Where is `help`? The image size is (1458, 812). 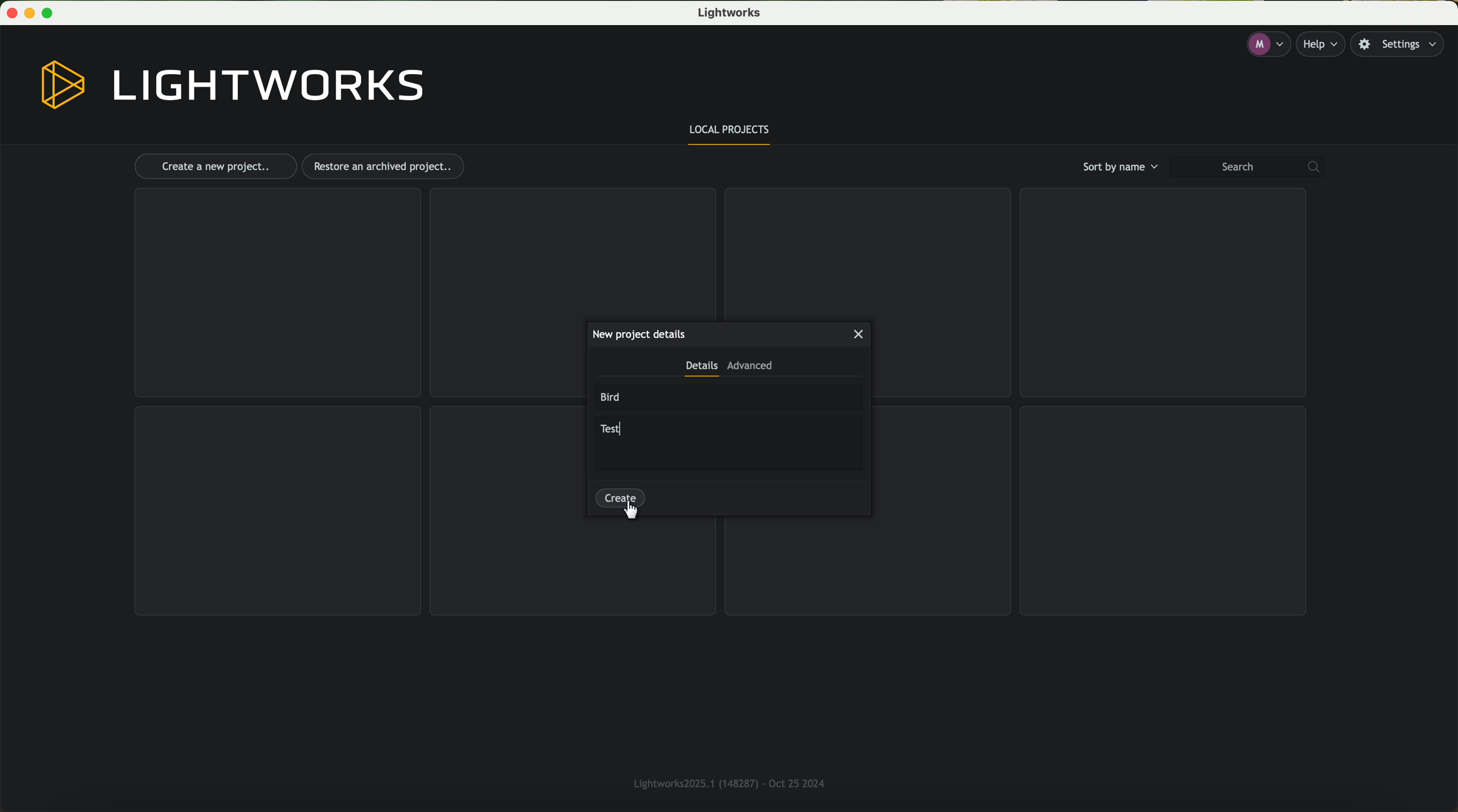 help is located at coordinates (1324, 44).